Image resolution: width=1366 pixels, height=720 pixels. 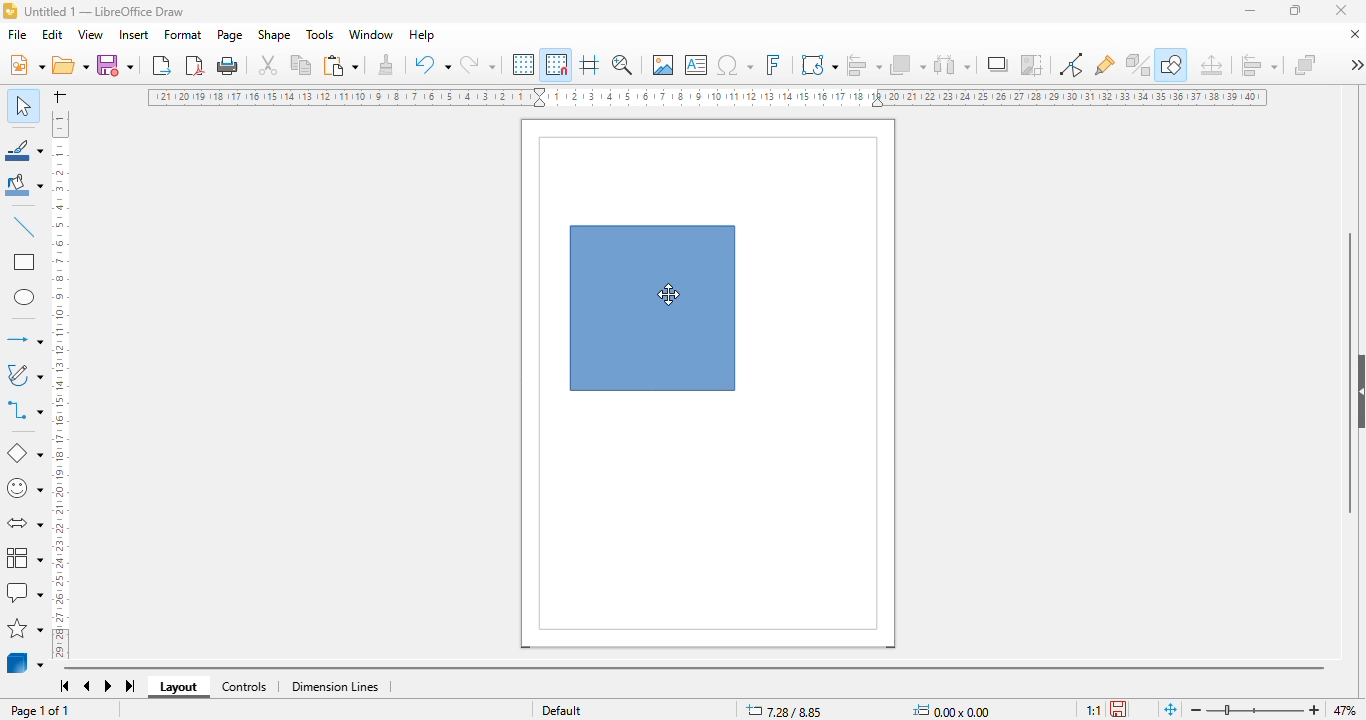 What do you see at coordinates (1259, 65) in the screenshot?
I see `align objects` at bounding box center [1259, 65].